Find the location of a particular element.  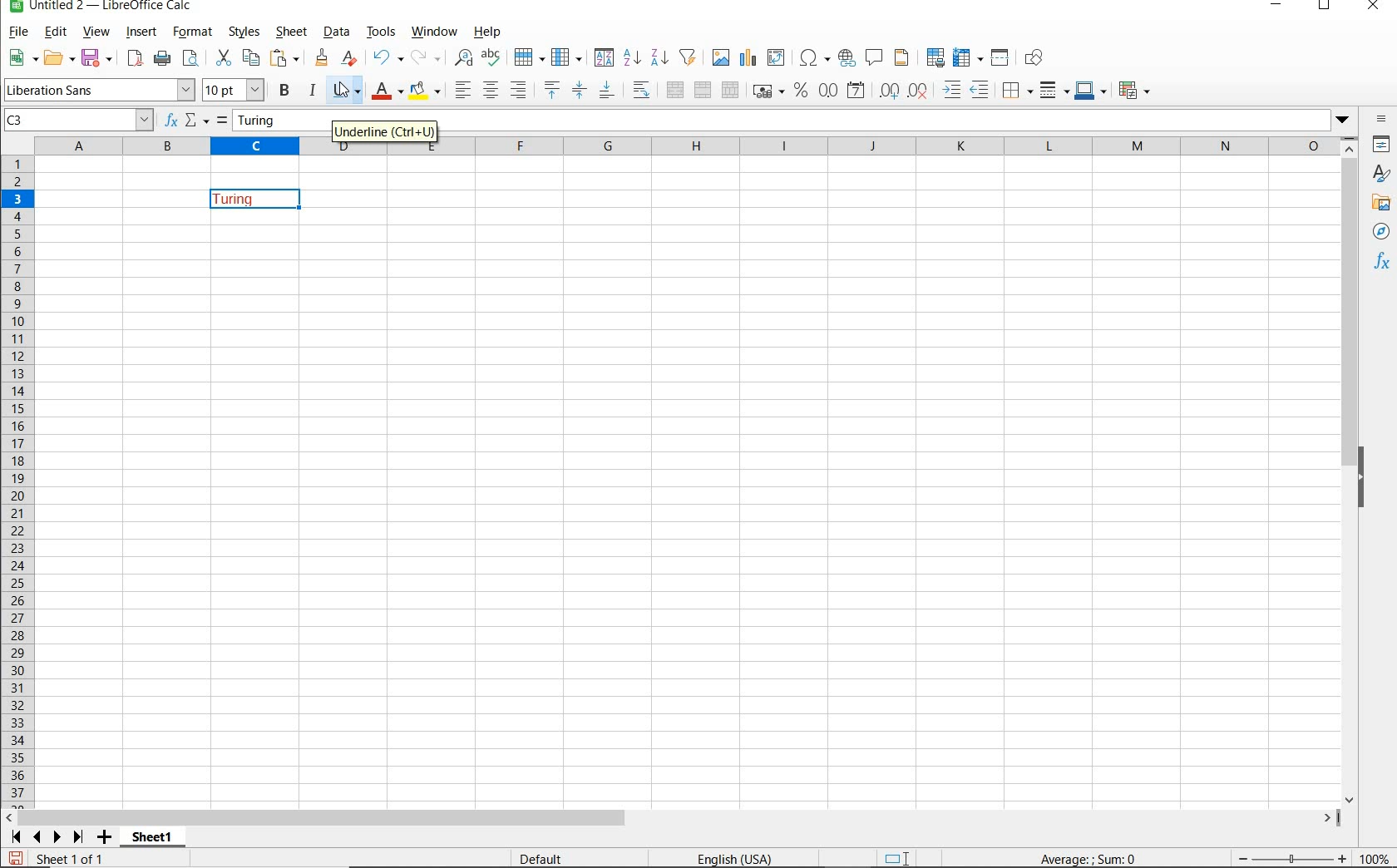

ZOOM OUT OR ZOOM IN is located at coordinates (1288, 856).